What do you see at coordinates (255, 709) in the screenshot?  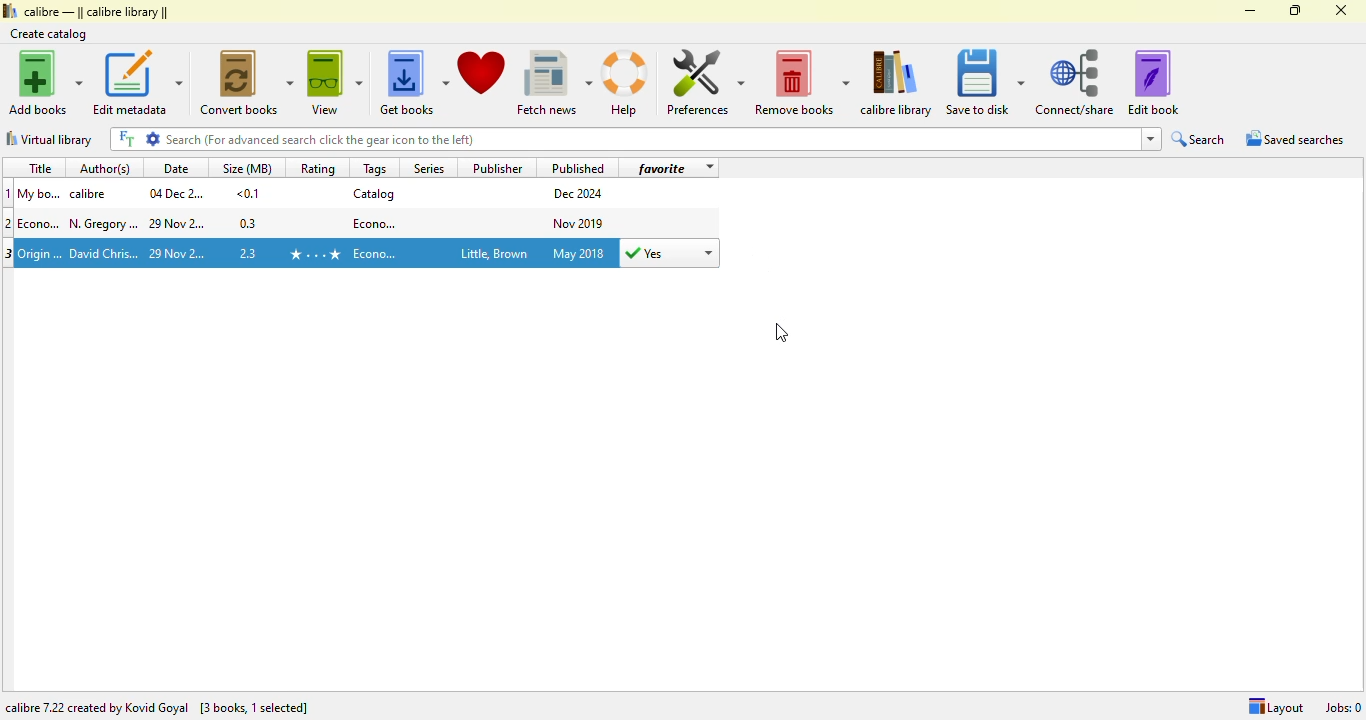 I see `[ 3 books, 1 selected]` at bounding box center [255, 709].